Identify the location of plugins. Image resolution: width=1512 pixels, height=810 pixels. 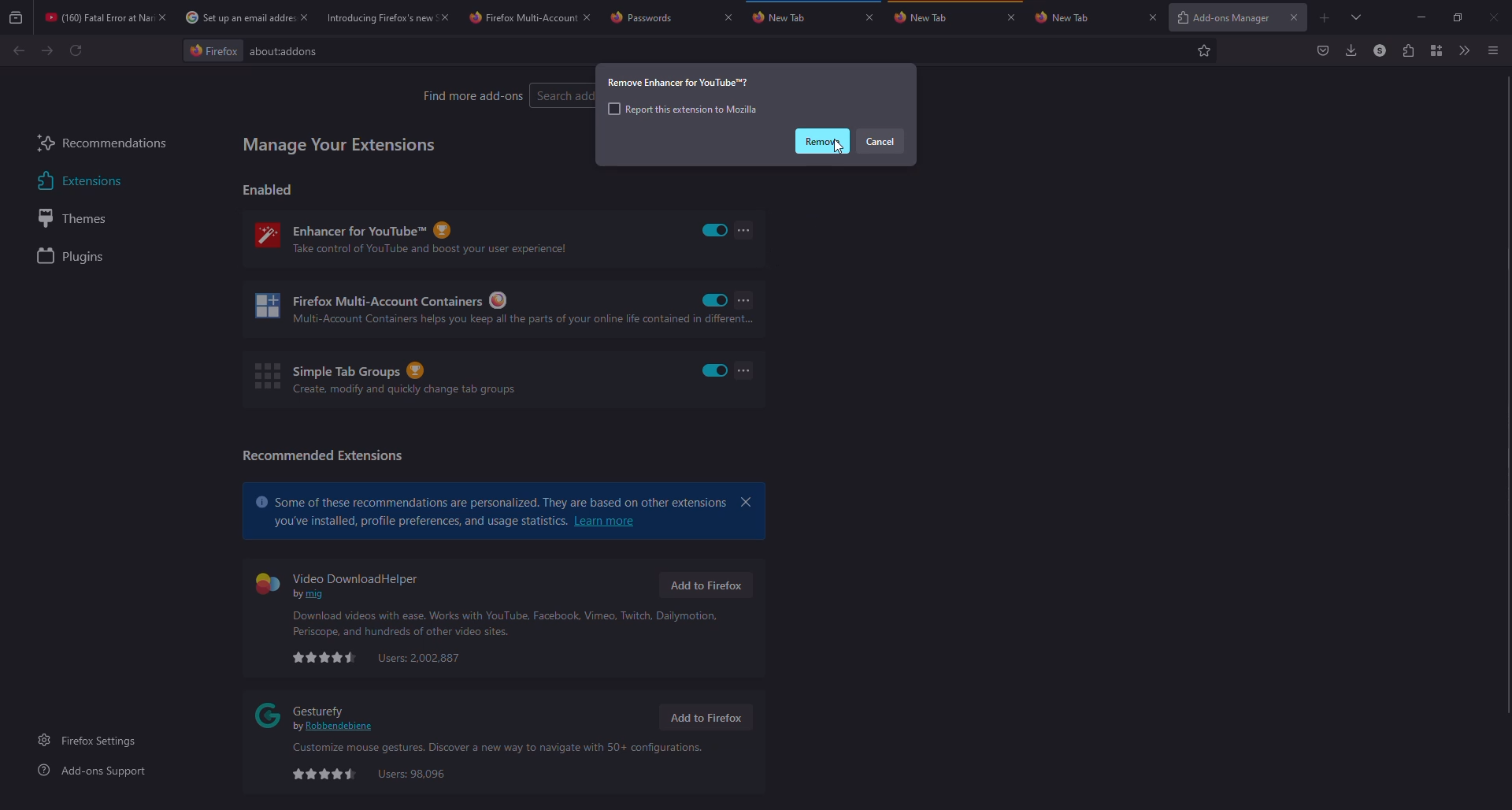
(74, 258).